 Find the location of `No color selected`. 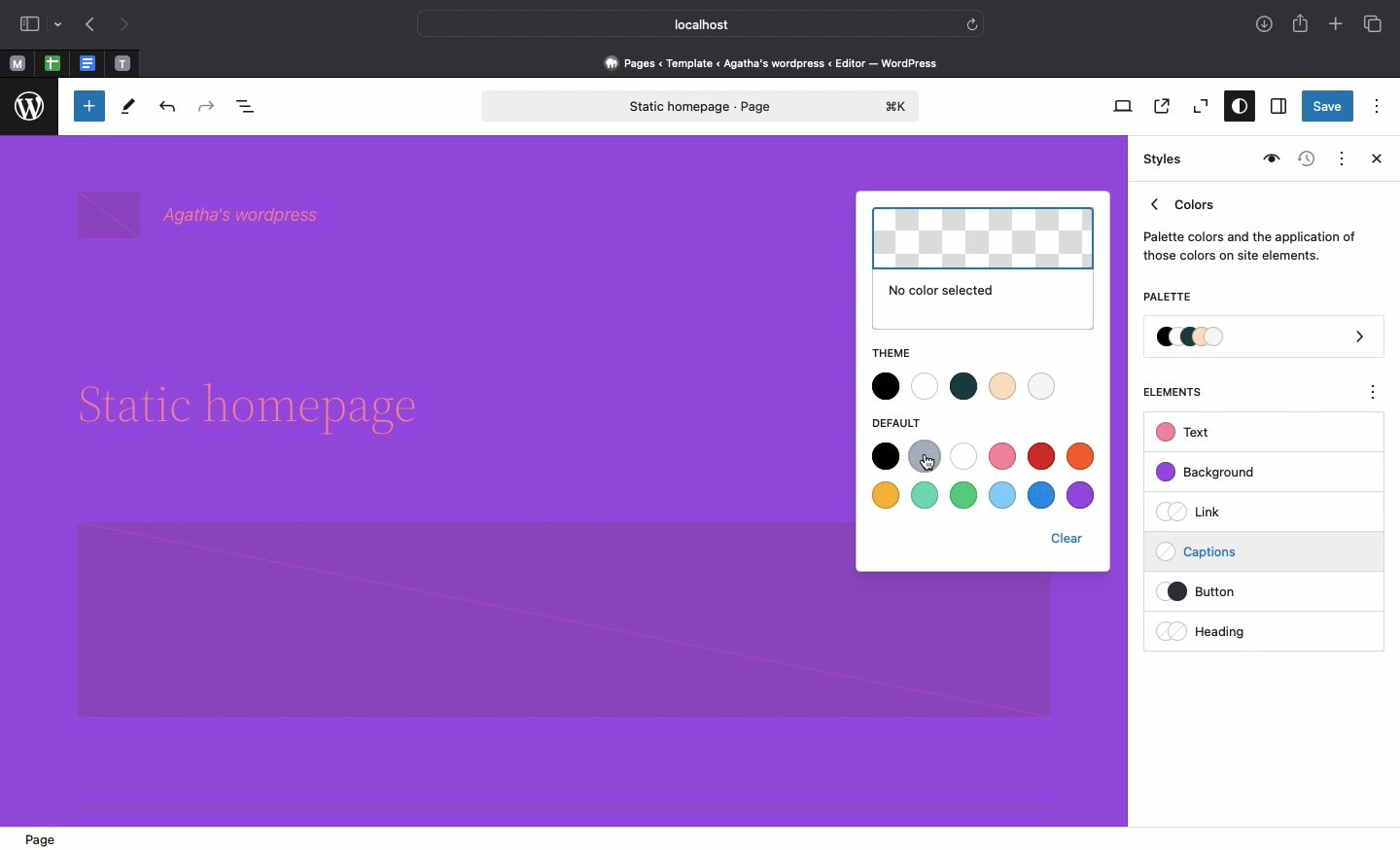

No color selected is located at coordinates (982, 268).